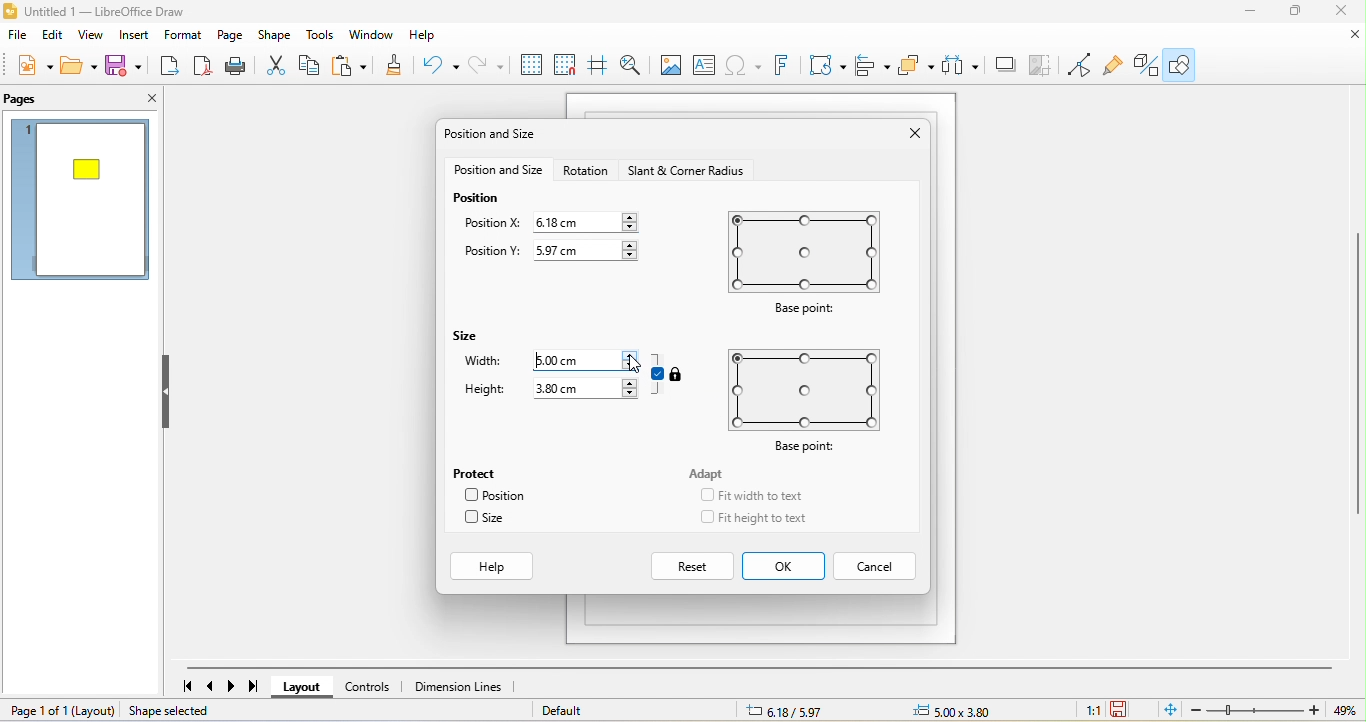  I want to click on position and size, so click(502, 173).